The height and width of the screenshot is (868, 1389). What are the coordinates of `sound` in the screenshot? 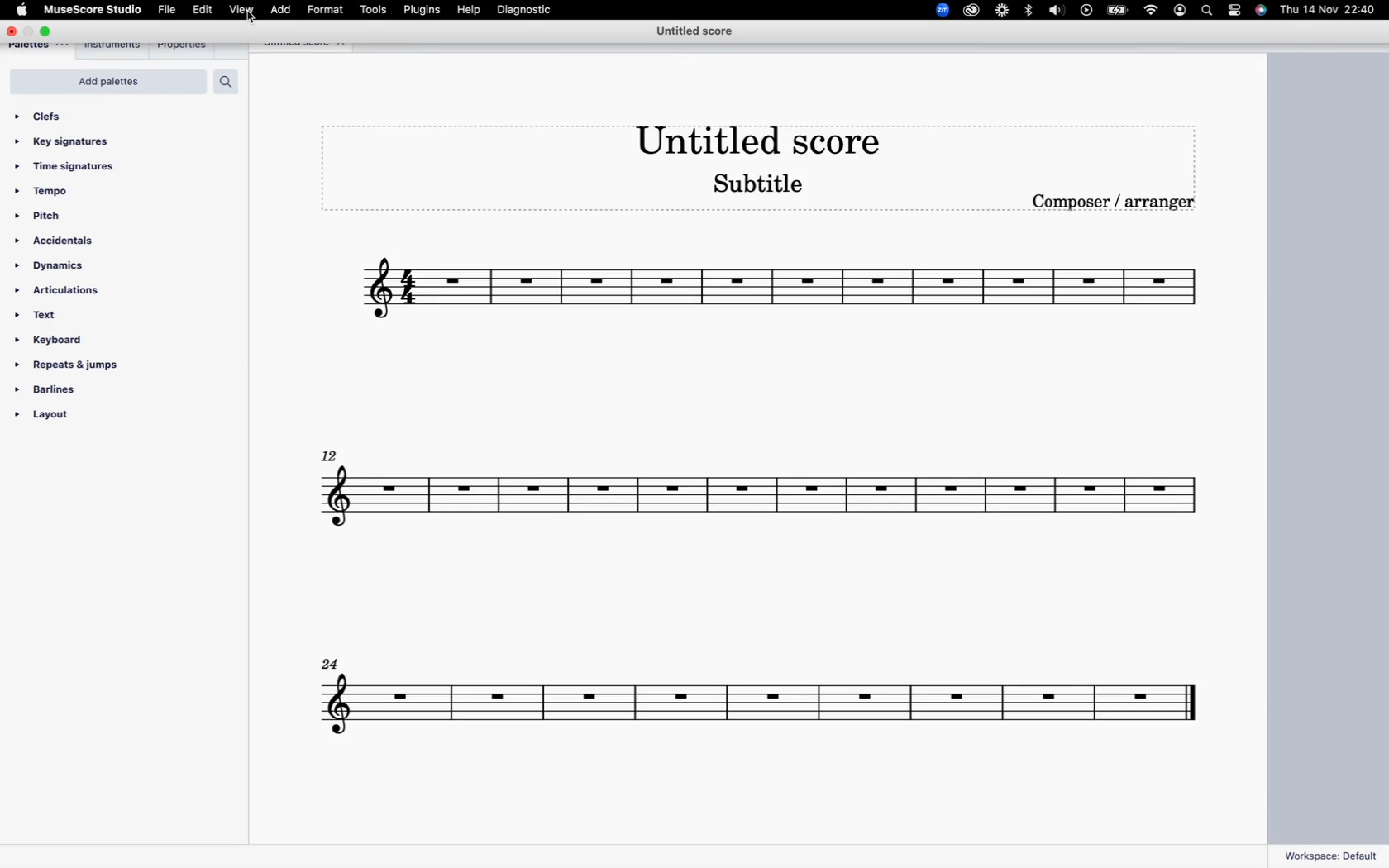 It's located at (1057, 12).